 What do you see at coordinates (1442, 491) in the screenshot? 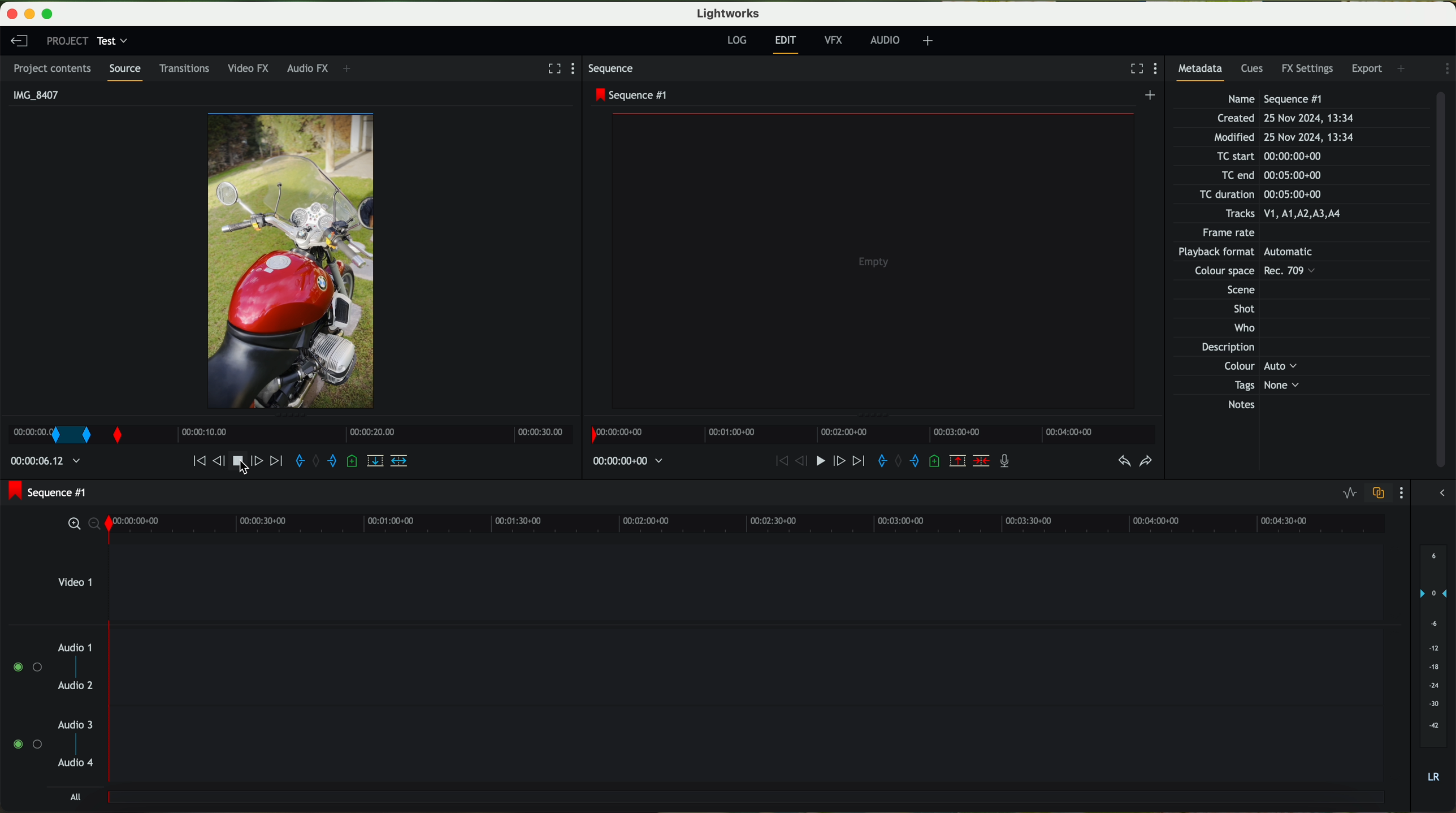
I see `show/hide the full audio mix menu` at bounding box center [1442, 491].